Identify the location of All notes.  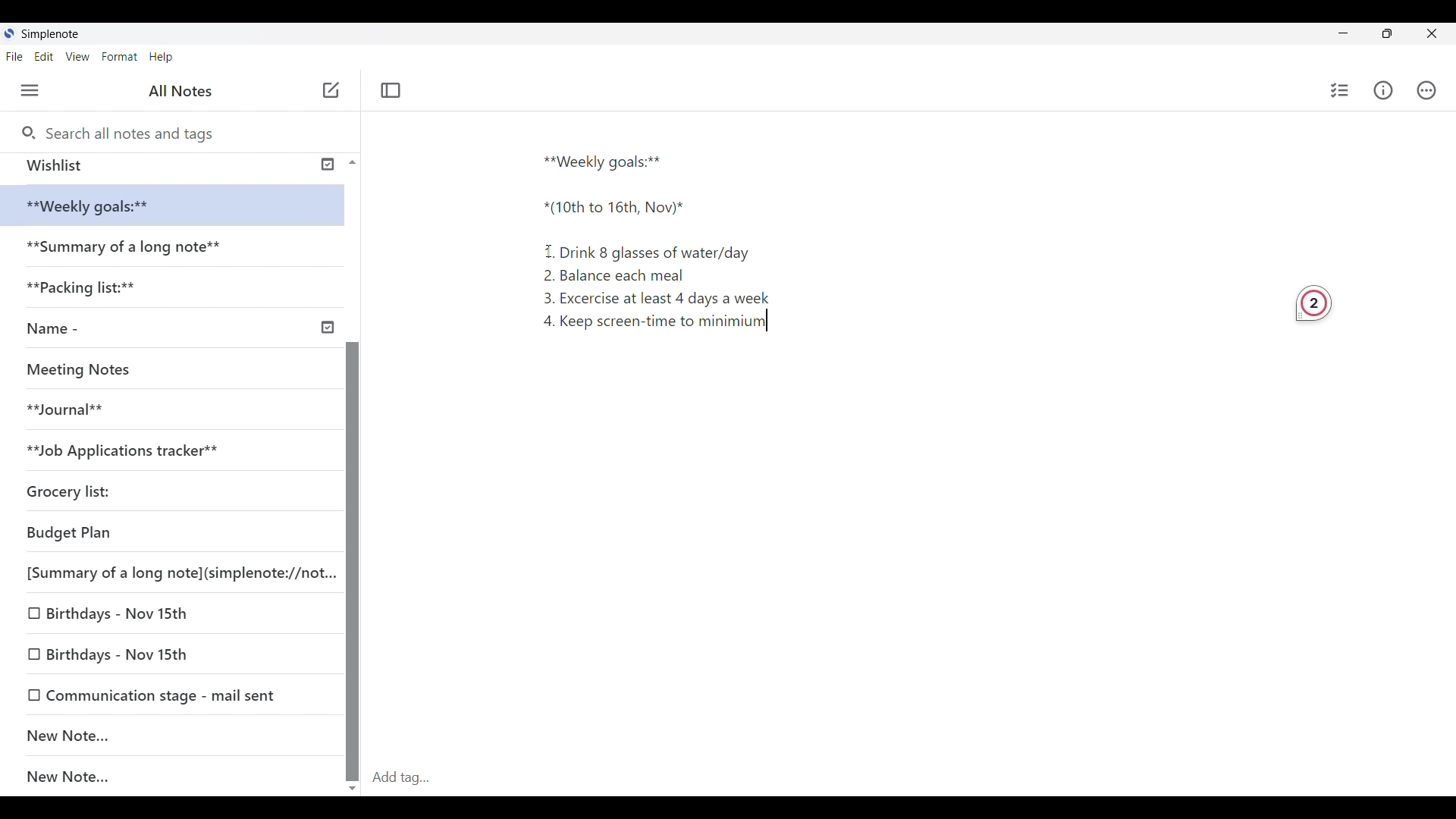
(184, 91).